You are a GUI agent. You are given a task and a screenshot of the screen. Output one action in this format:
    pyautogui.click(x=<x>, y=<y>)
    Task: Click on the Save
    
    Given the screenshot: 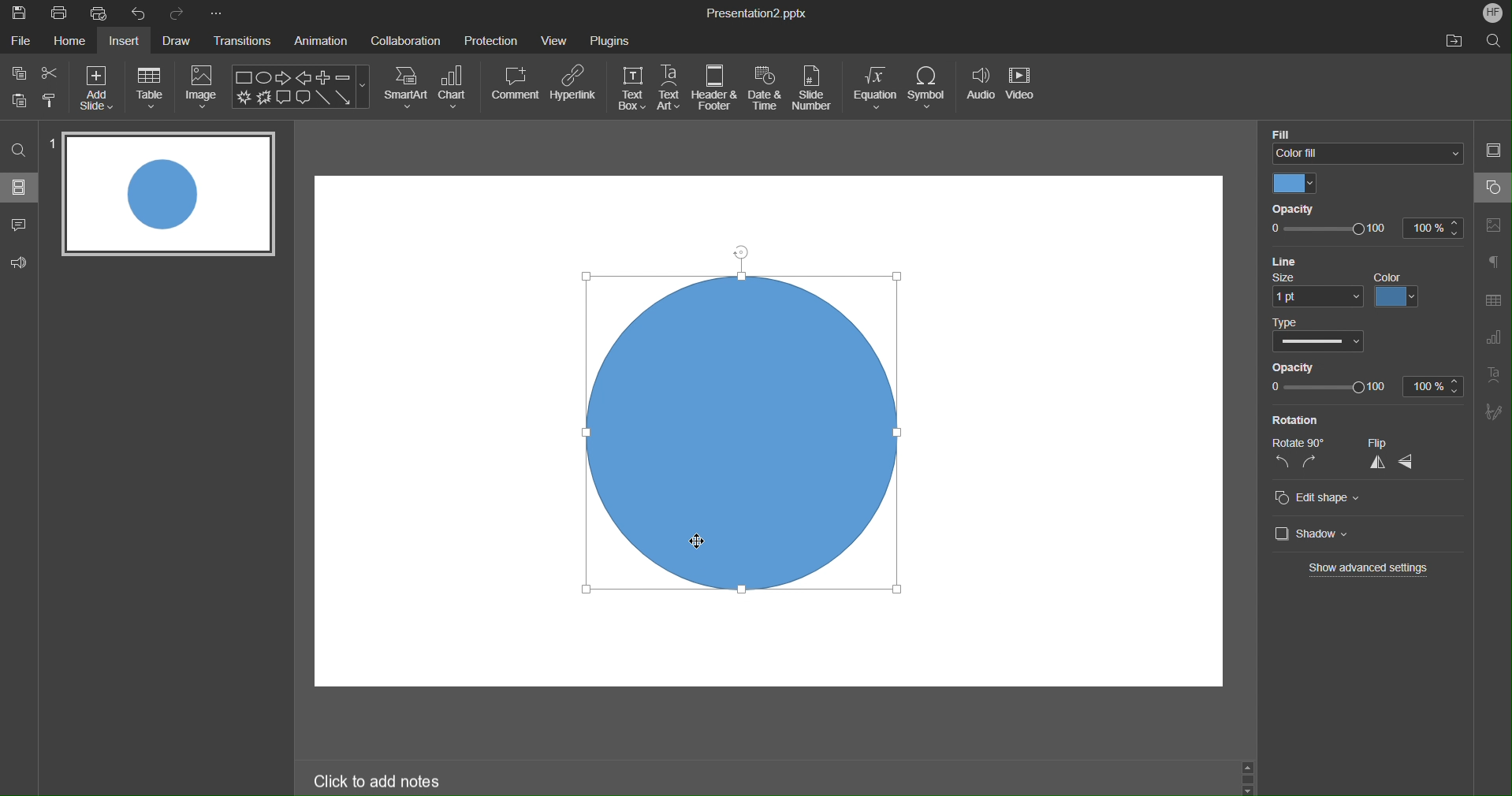 What is the action you would take?
    pyautogui.click(x=18, y=13)
    